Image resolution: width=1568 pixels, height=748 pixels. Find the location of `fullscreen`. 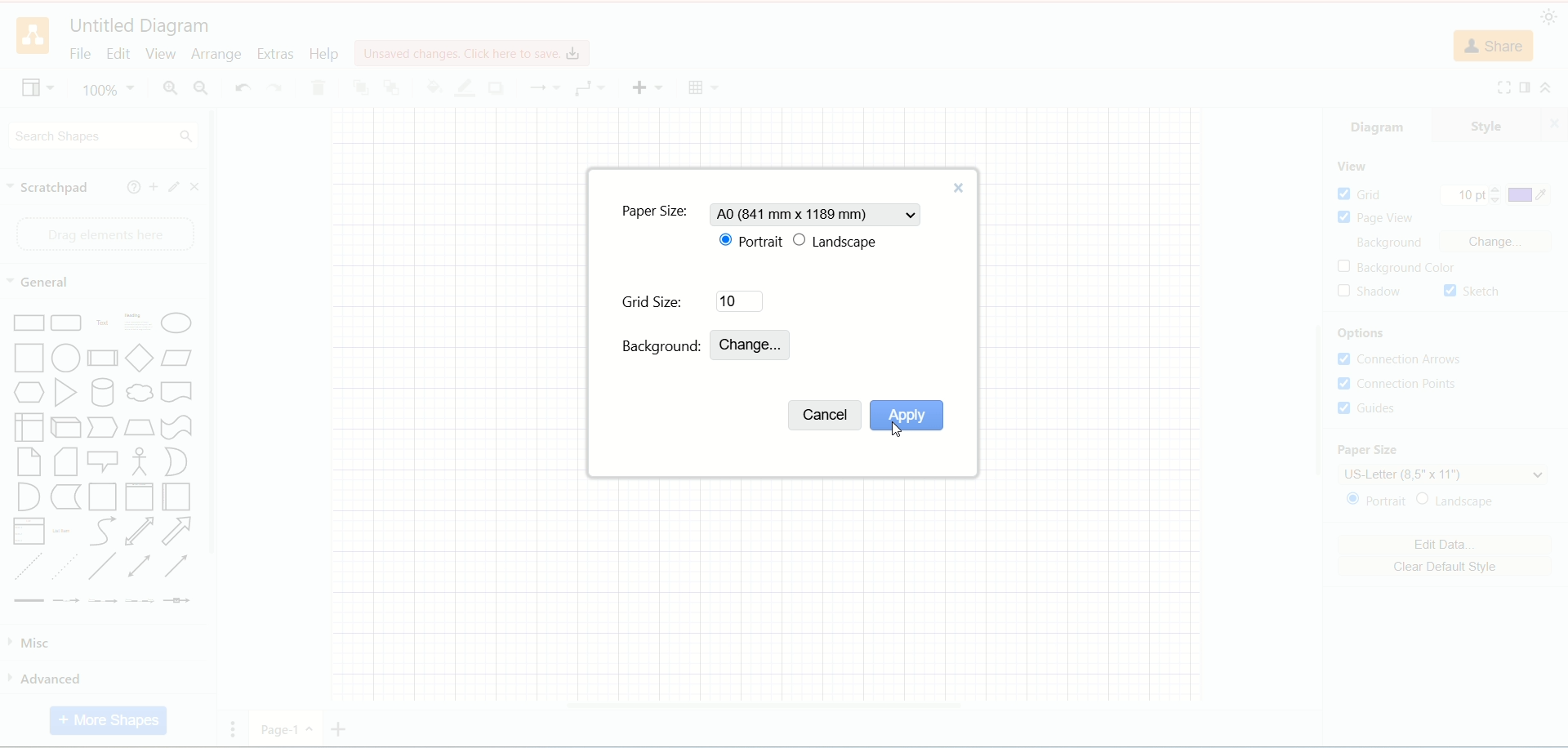

fullscreen is located at coordinates (1498, 88).